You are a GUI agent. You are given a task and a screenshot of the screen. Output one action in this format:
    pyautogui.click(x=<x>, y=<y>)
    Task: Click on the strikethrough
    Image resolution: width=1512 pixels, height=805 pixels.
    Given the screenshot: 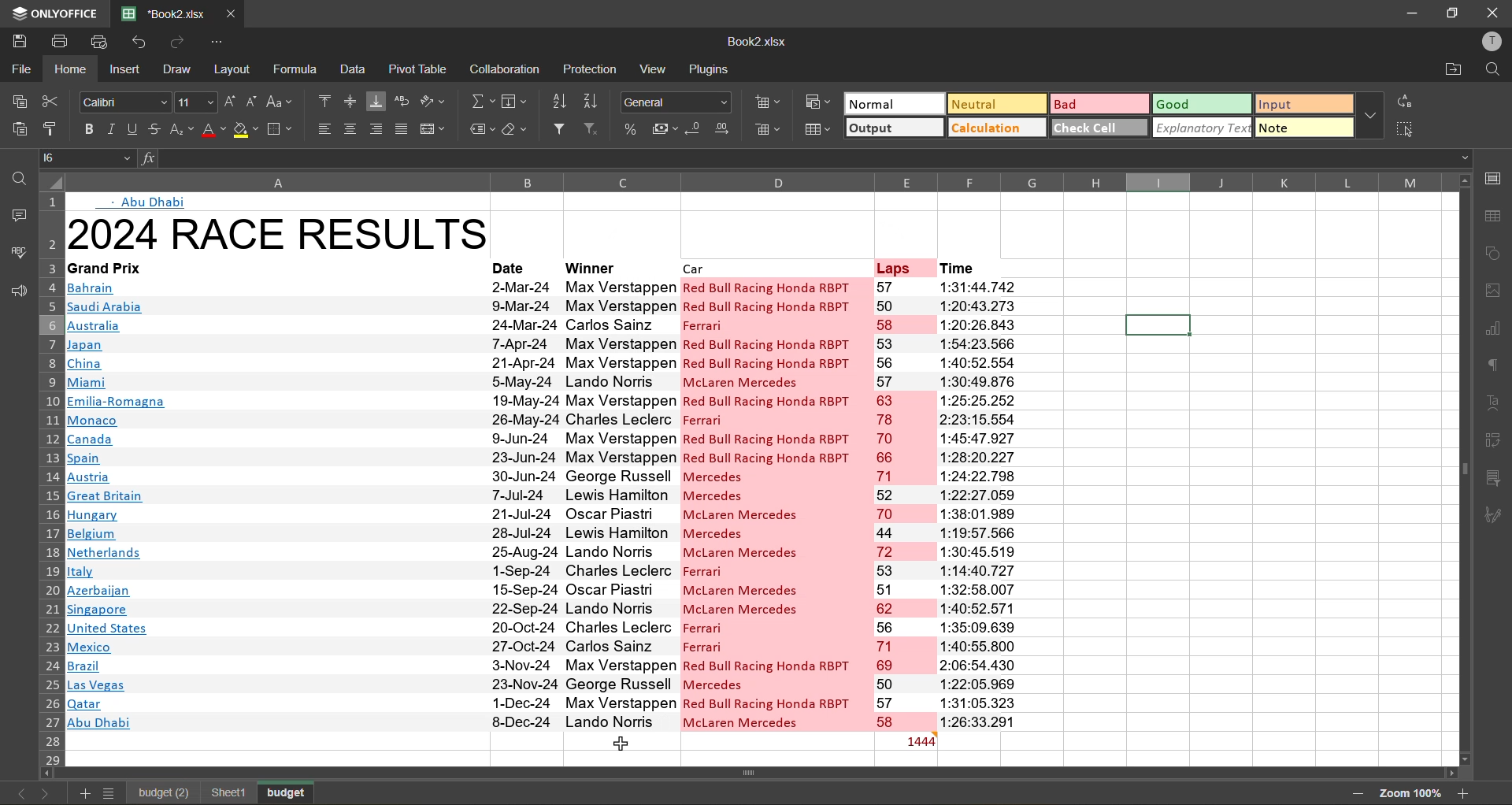 What is the action you would take?
    pyautogui.click(x=156, y=129)
    